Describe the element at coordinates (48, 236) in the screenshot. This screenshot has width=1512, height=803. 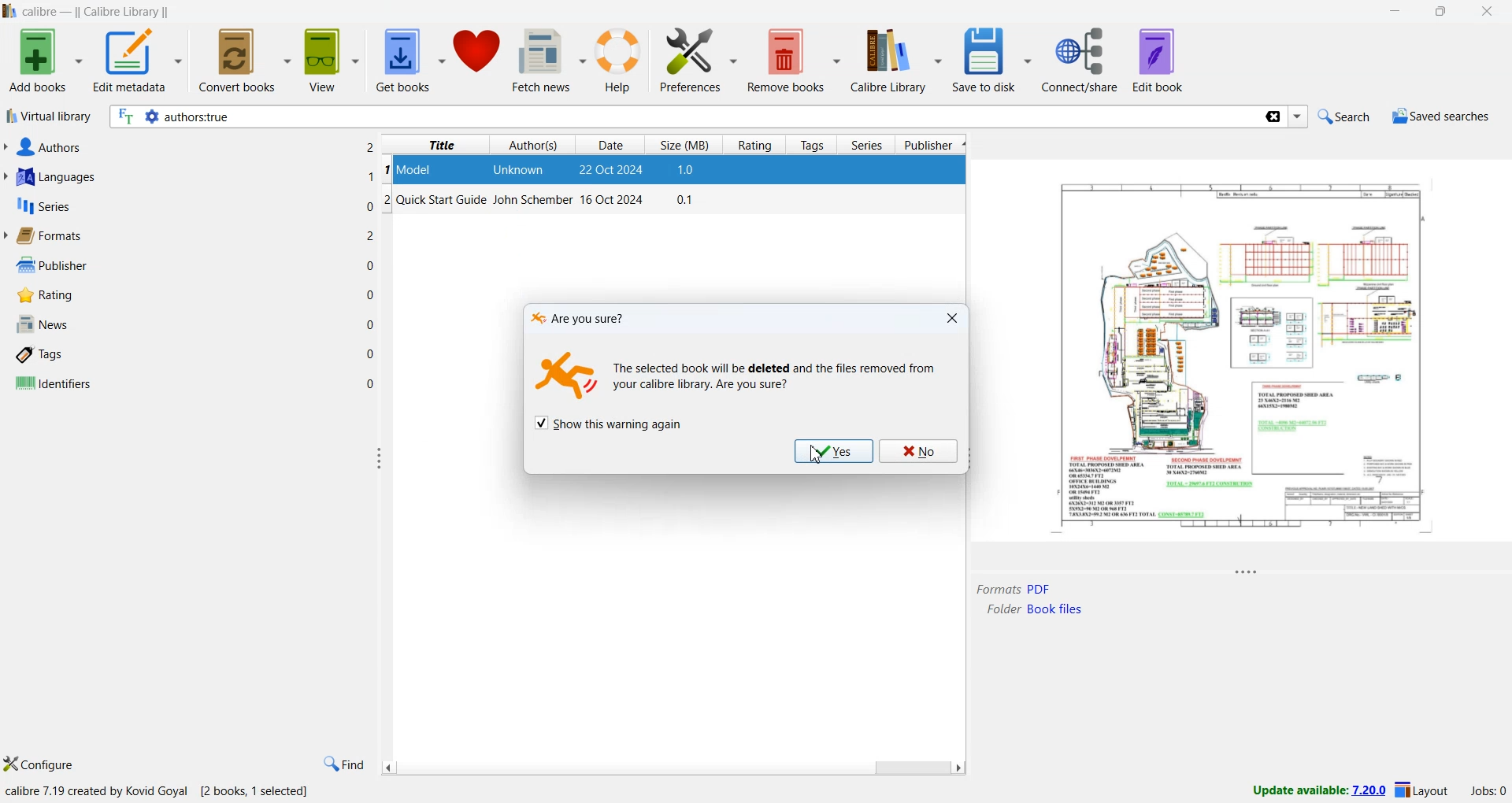
I see `formats` at that location.